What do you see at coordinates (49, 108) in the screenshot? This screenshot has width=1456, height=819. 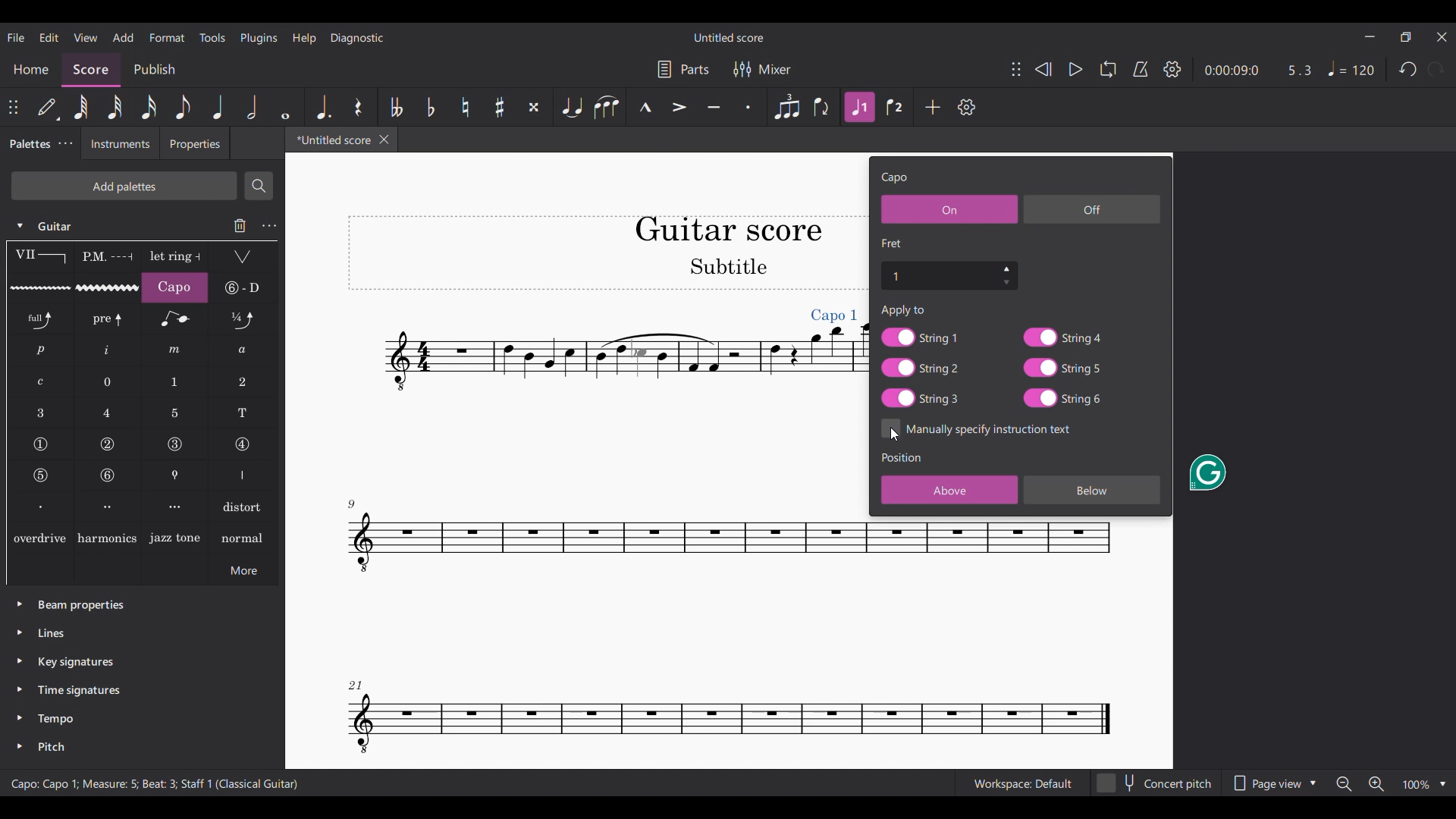 I see `Default` at bounding box center [49, 108].